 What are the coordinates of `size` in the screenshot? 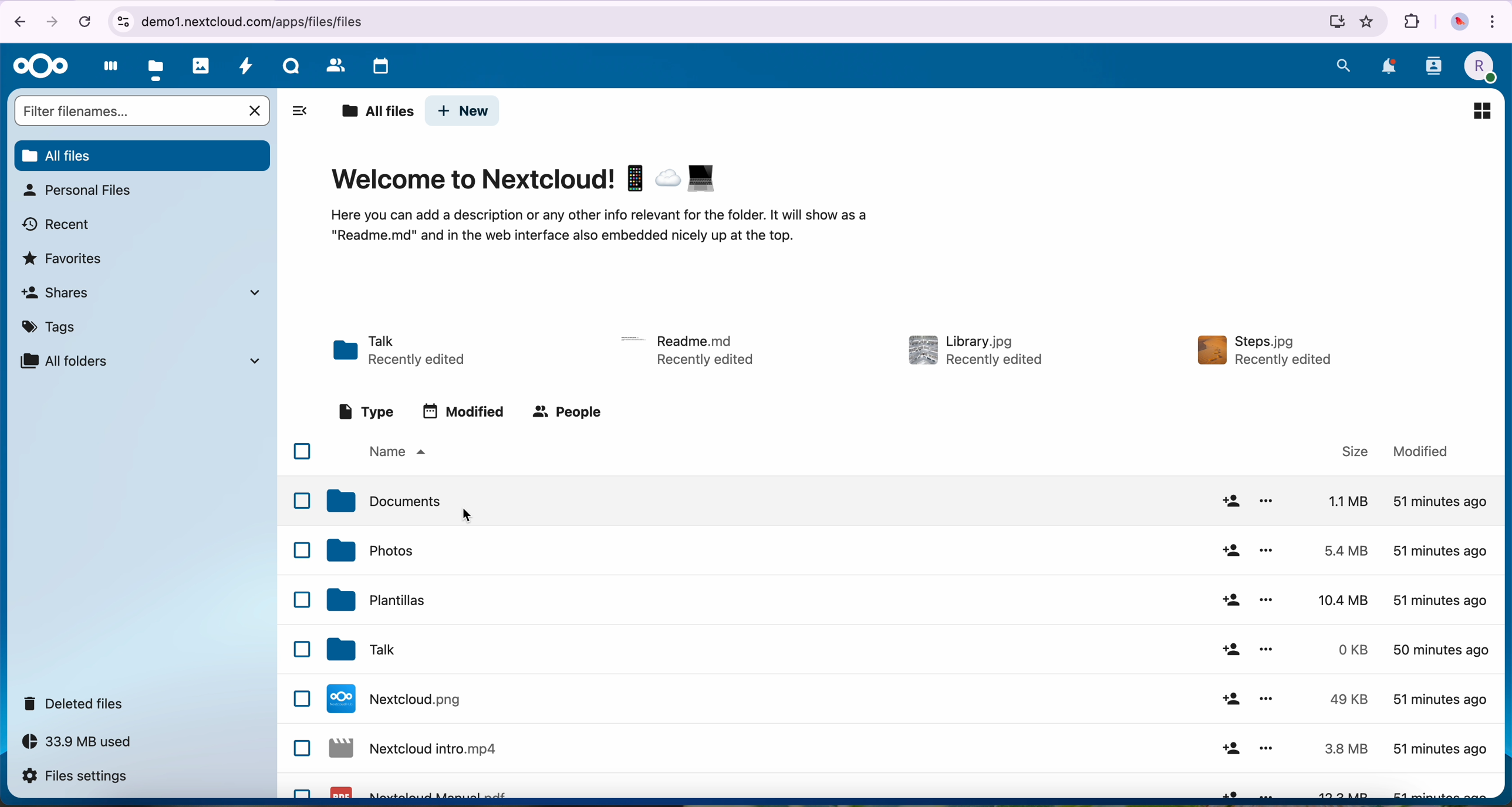 It's located at (1352, 650).